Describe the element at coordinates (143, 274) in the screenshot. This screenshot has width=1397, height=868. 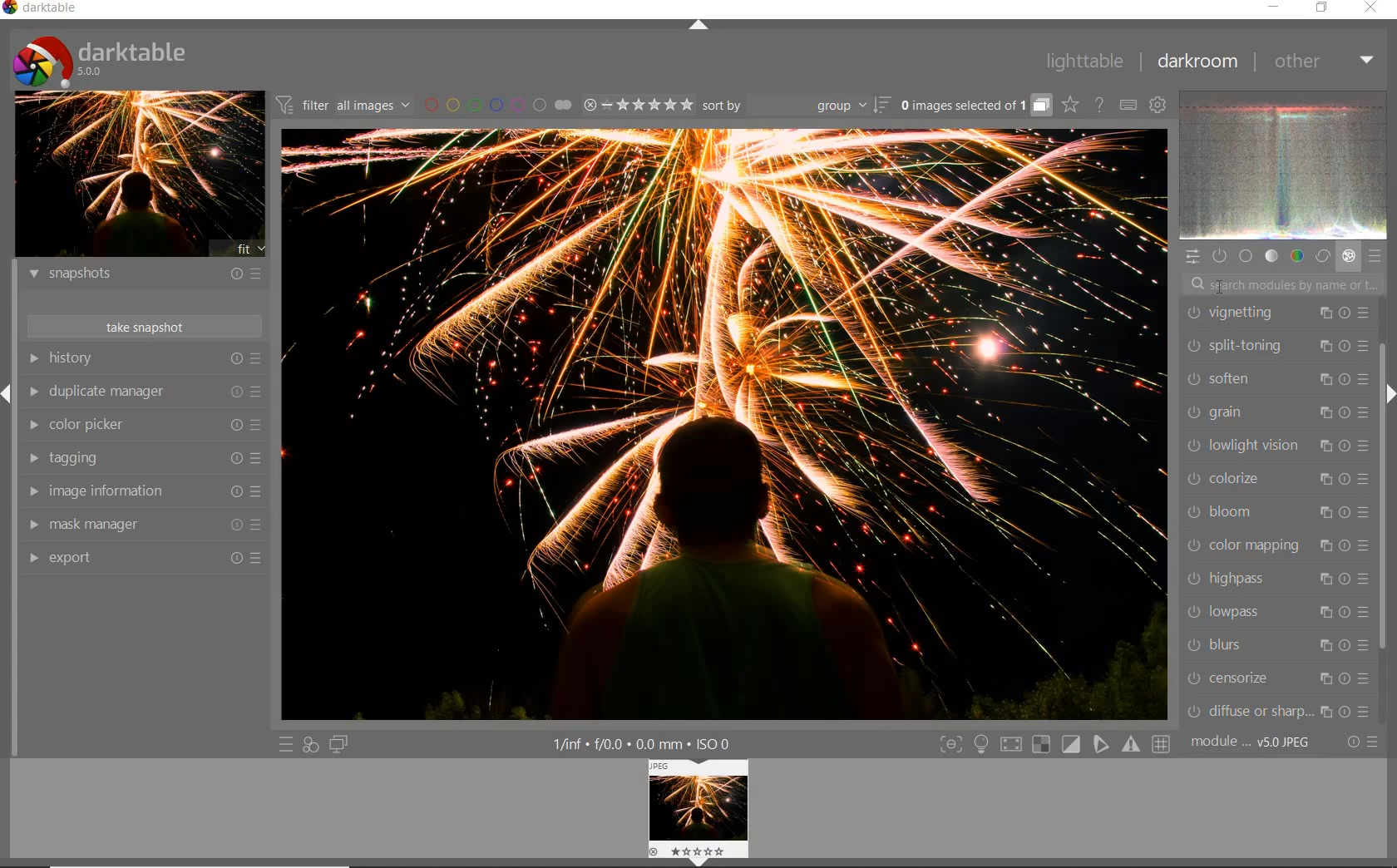
I see `snapshots` at that location.